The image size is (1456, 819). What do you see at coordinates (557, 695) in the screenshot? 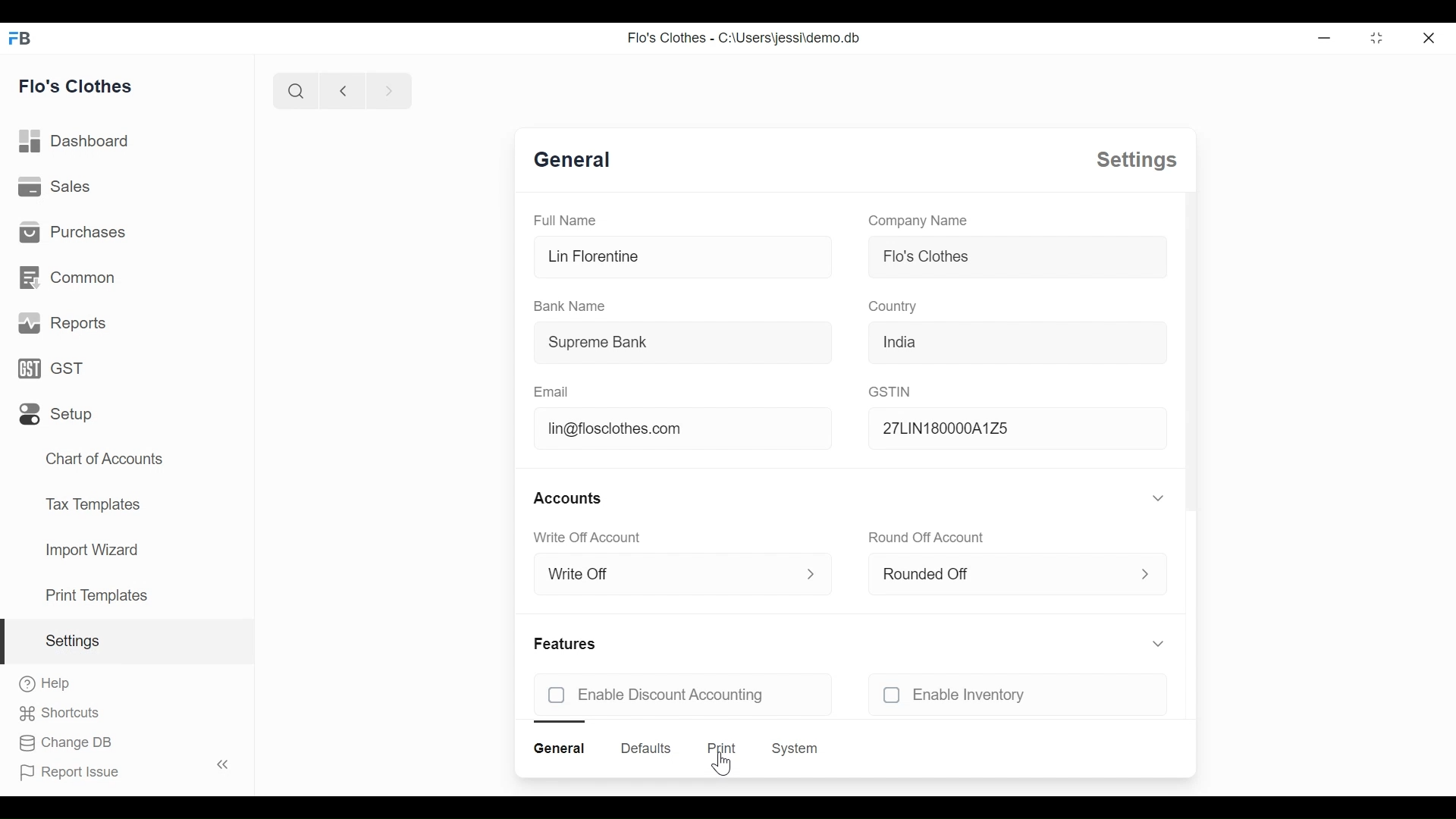
I see `checkbox` at bounding box center [557, 695].